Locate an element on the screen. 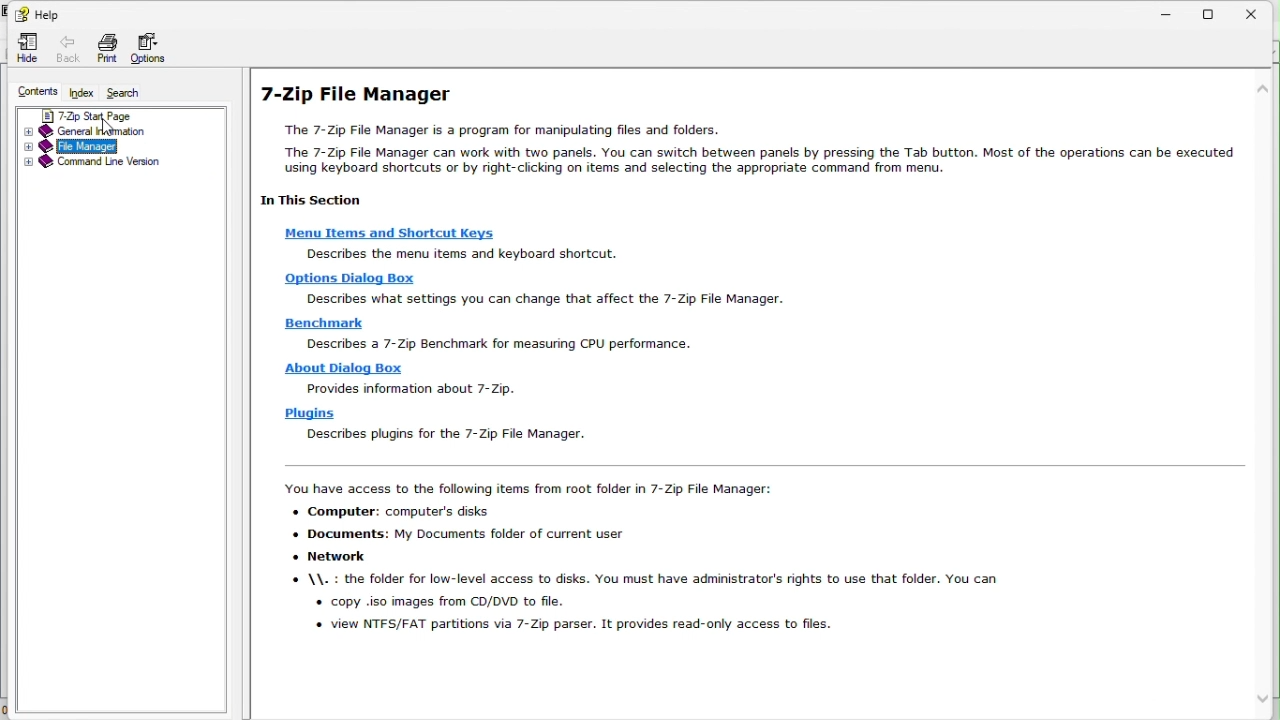  7 zip start page is located at coordinates (122, 113).